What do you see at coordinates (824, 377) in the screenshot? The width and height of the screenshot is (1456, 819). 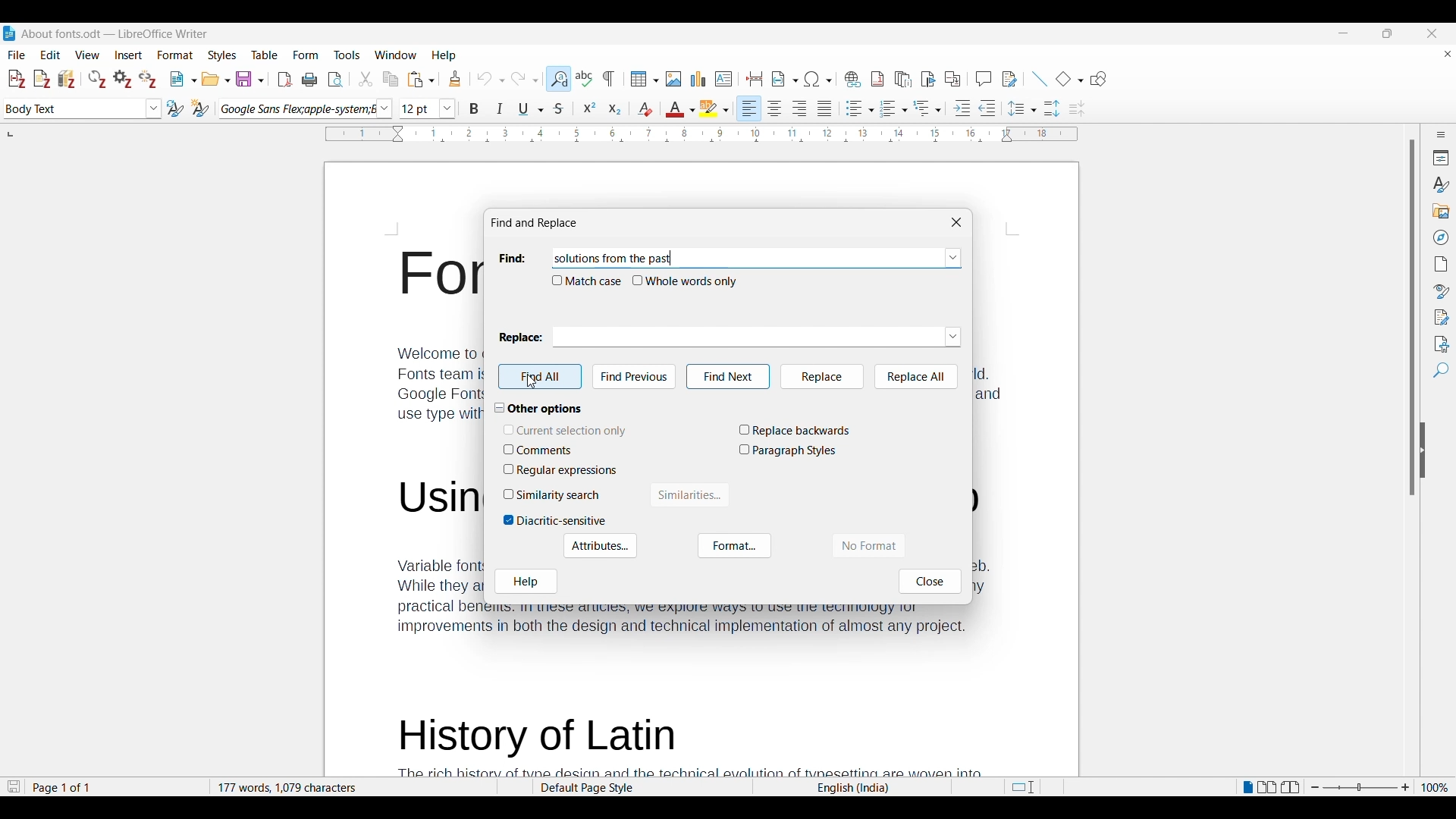 I see `Replace` at bounding box center [824, 377].